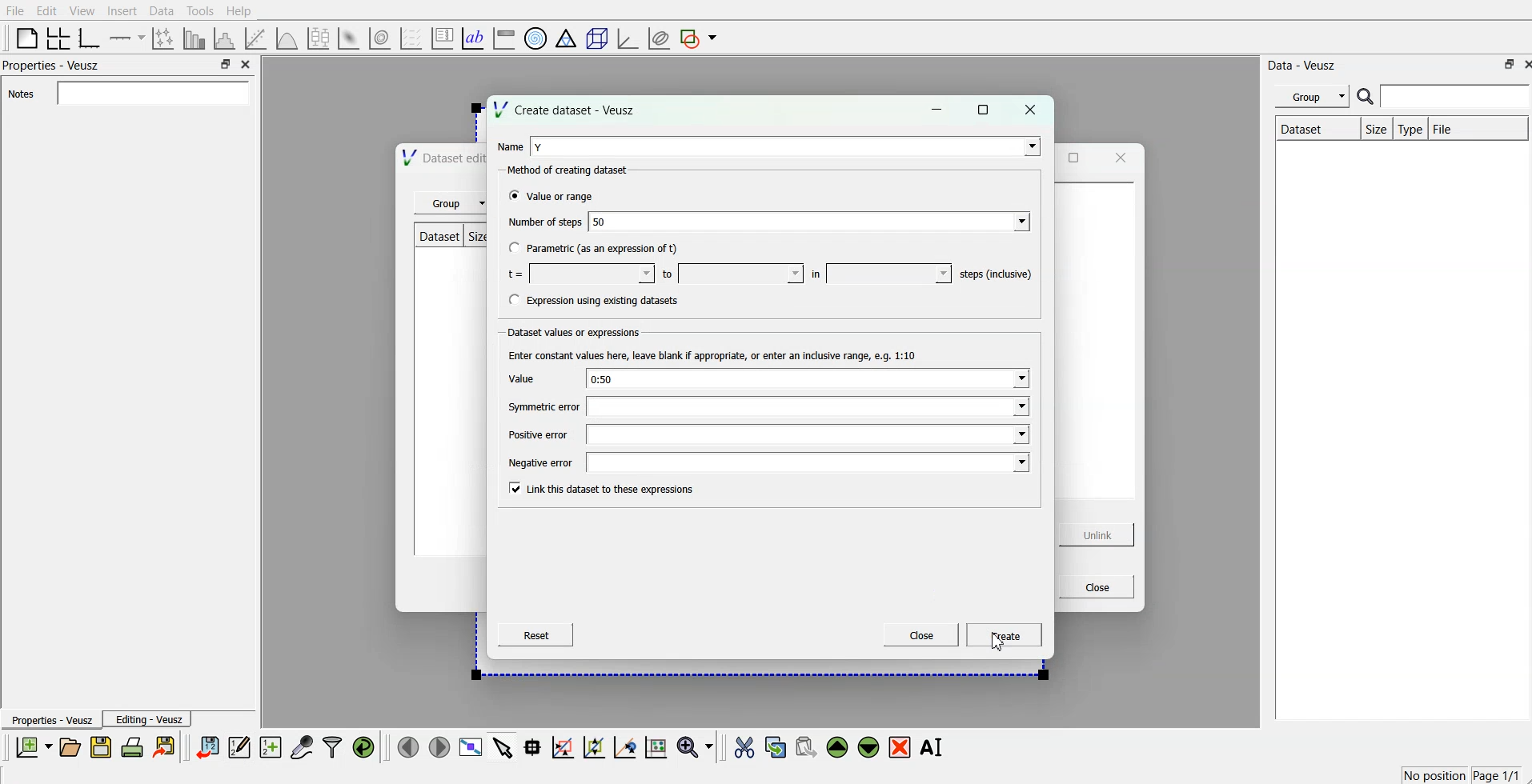  Describe the element at coordinates (776, 748) in the screenshot. I see `copy the selected widgets` at that location.